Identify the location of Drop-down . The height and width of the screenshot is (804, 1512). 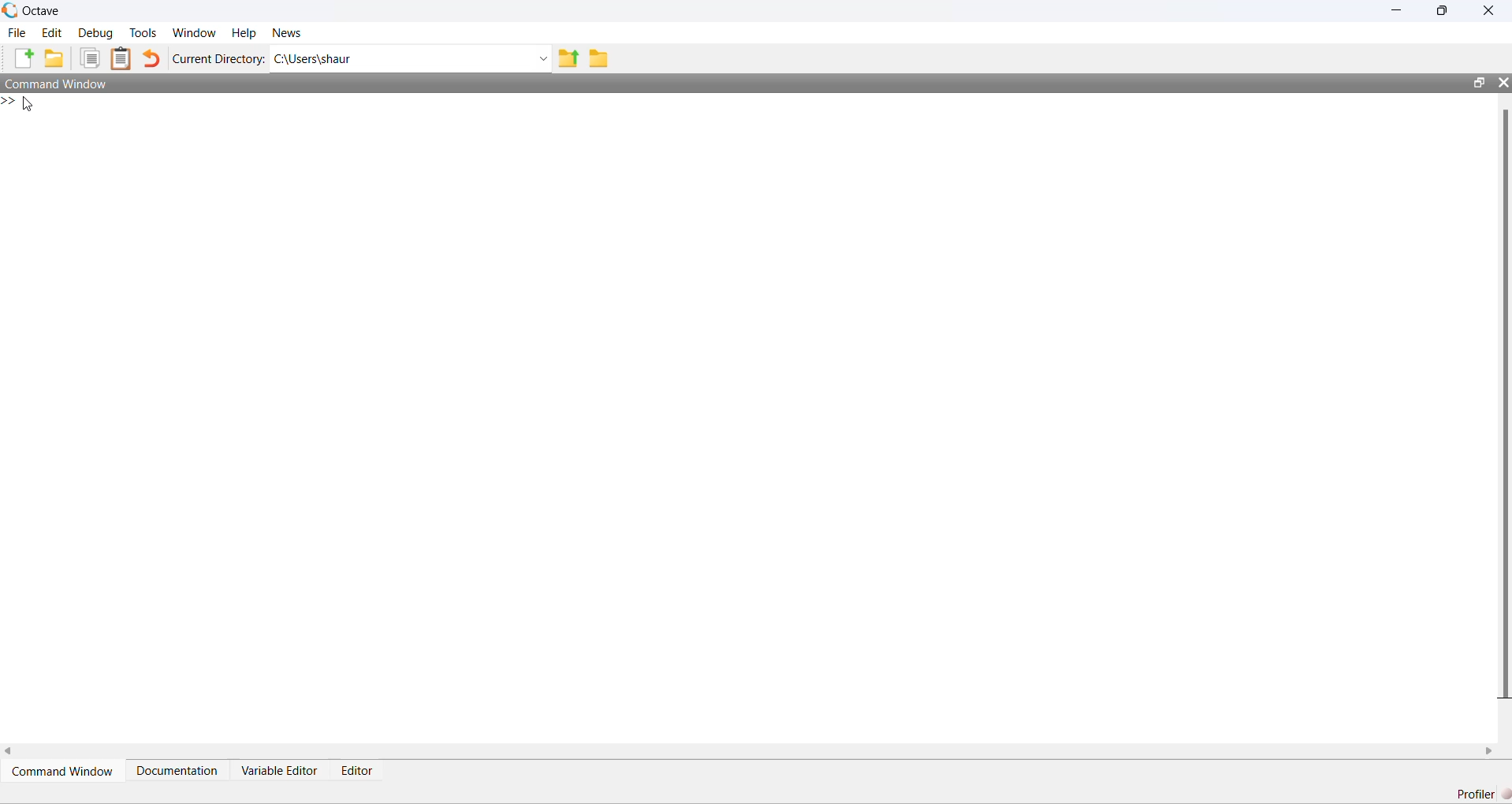
(542, 59).